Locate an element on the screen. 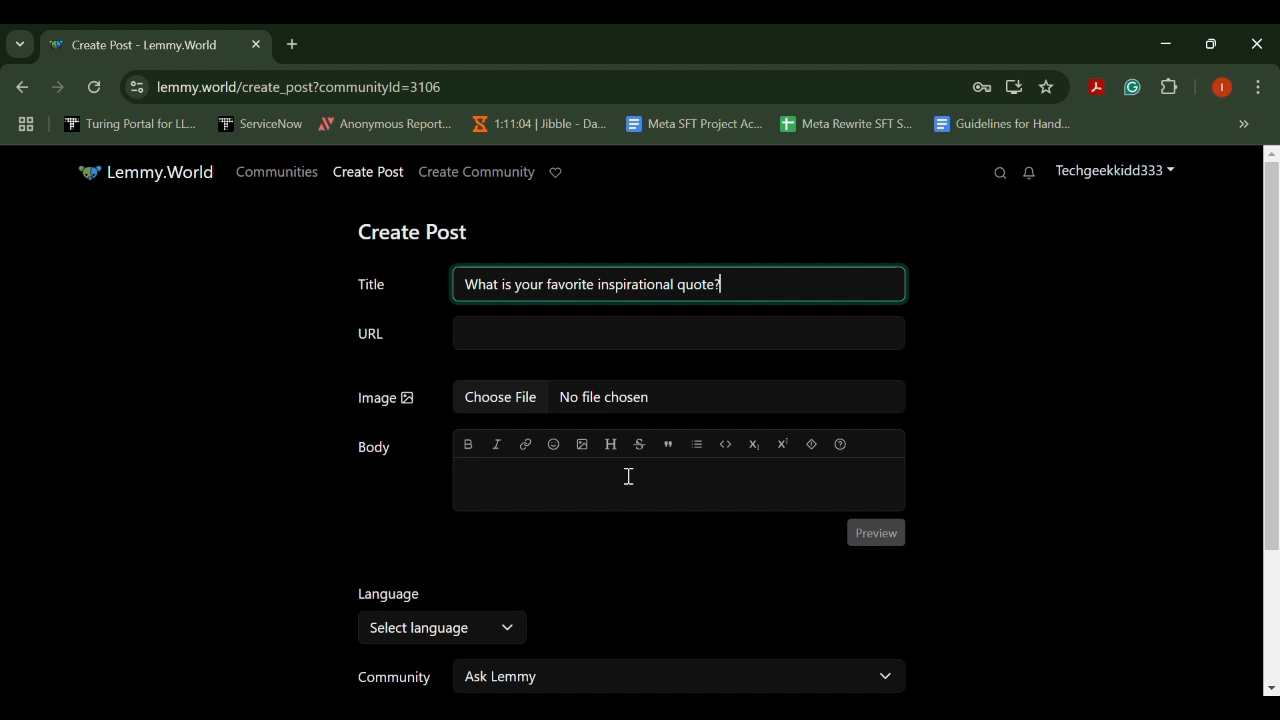  Anonymous Report... is located at coordinates (386, 123).